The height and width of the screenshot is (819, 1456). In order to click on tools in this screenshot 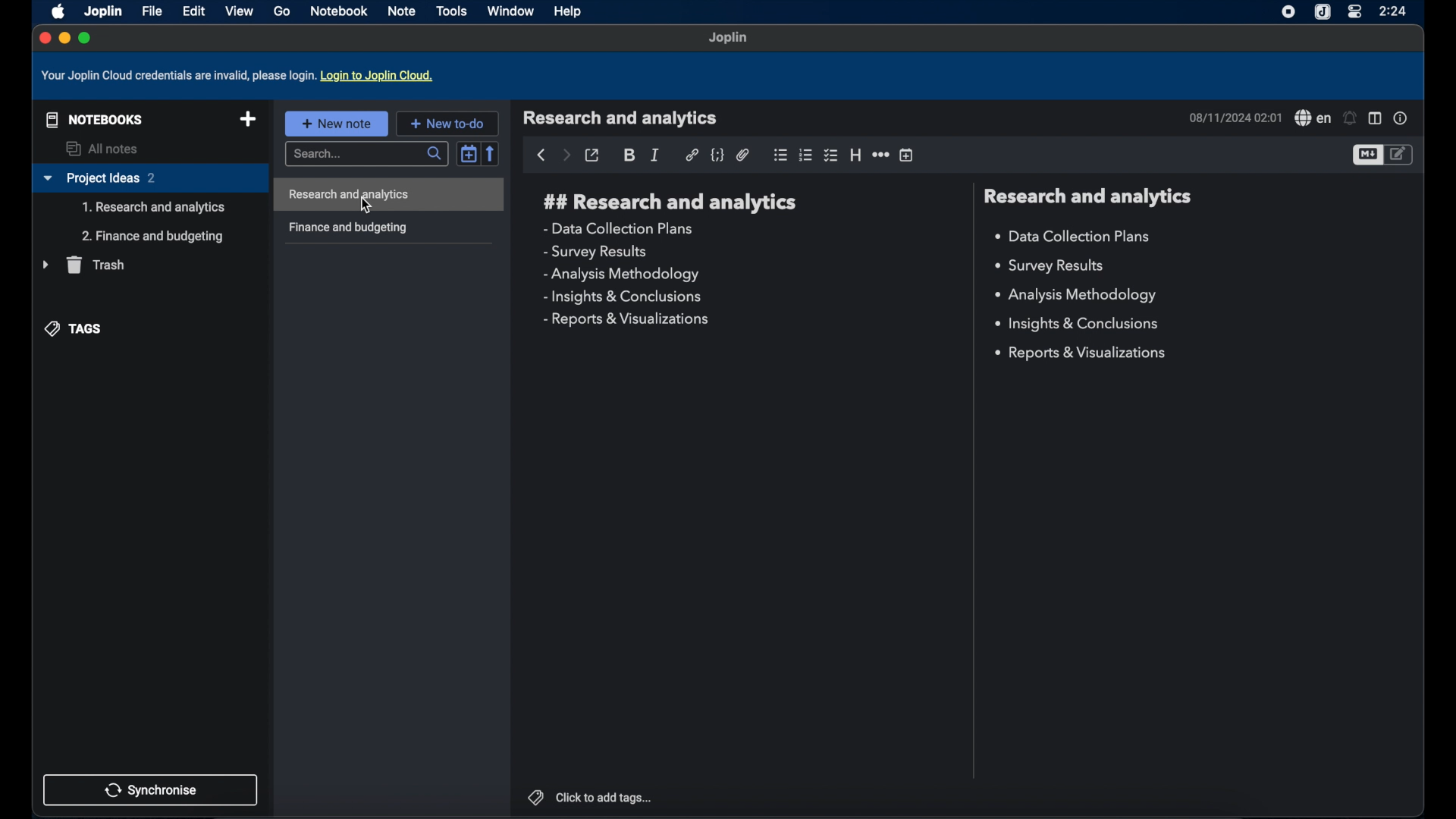, I will do `click(452, 11)`.